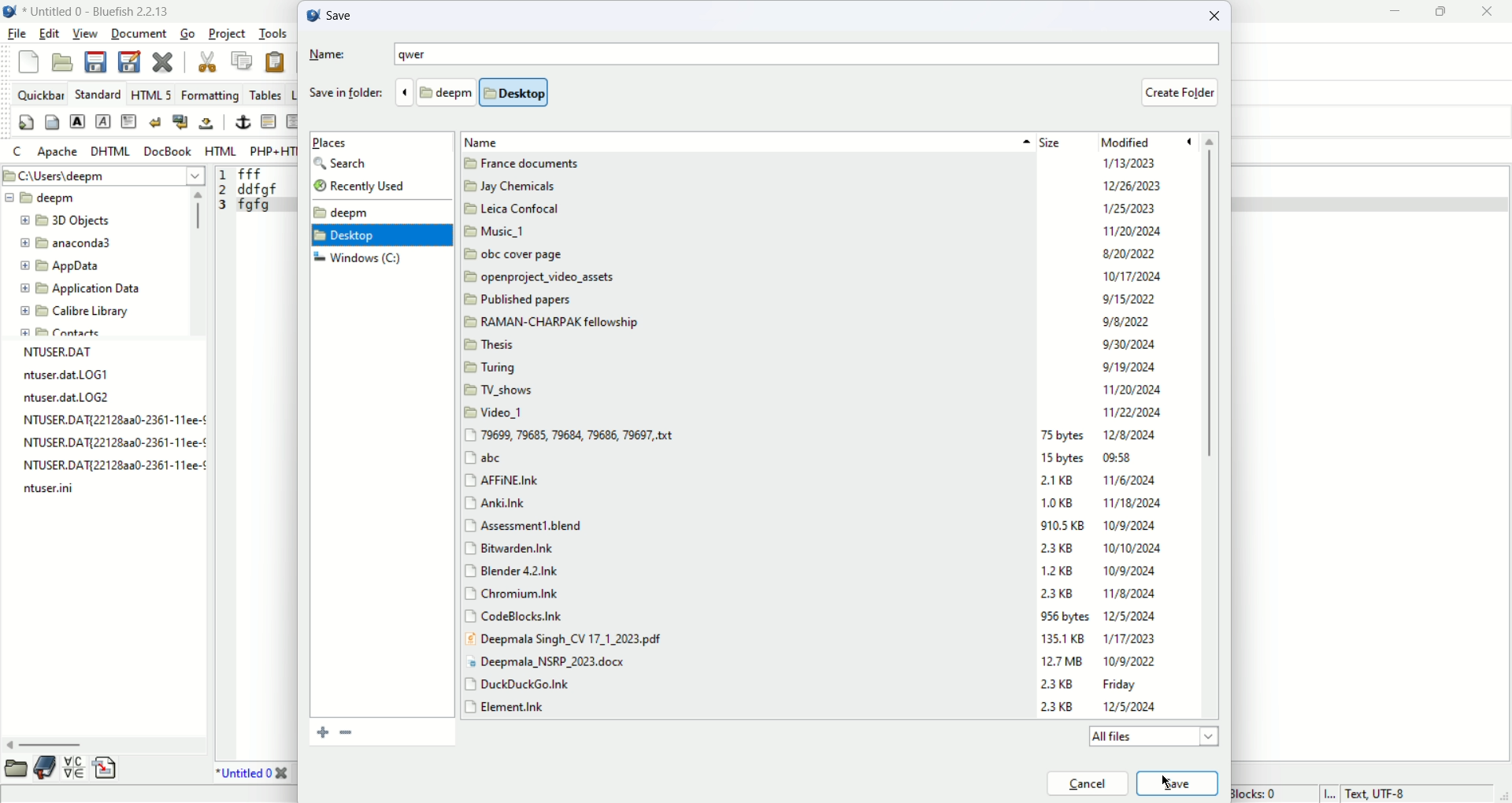  I want to click on name: qwer, so click(766, 55).